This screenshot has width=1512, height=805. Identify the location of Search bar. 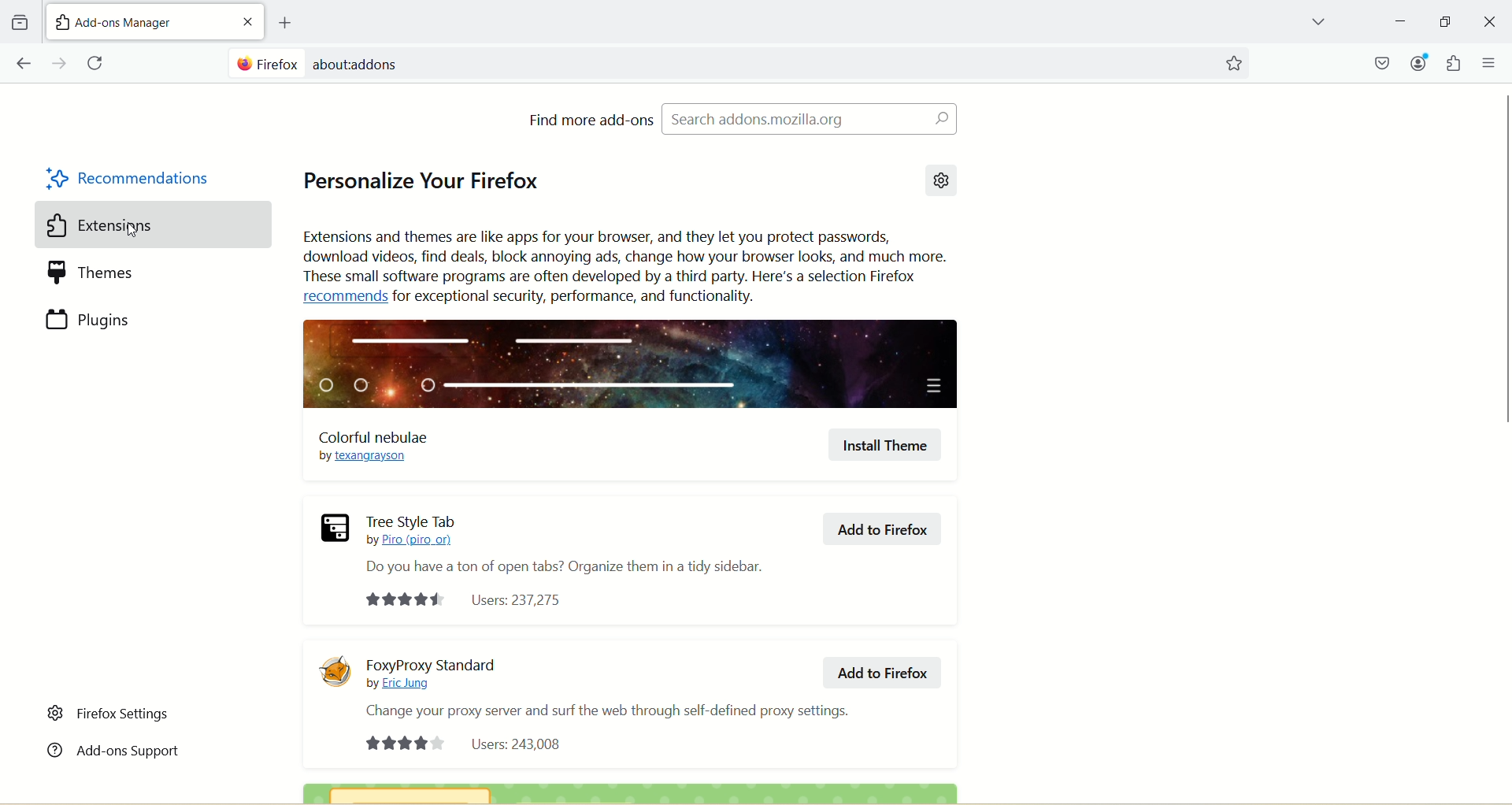
(717, 63).